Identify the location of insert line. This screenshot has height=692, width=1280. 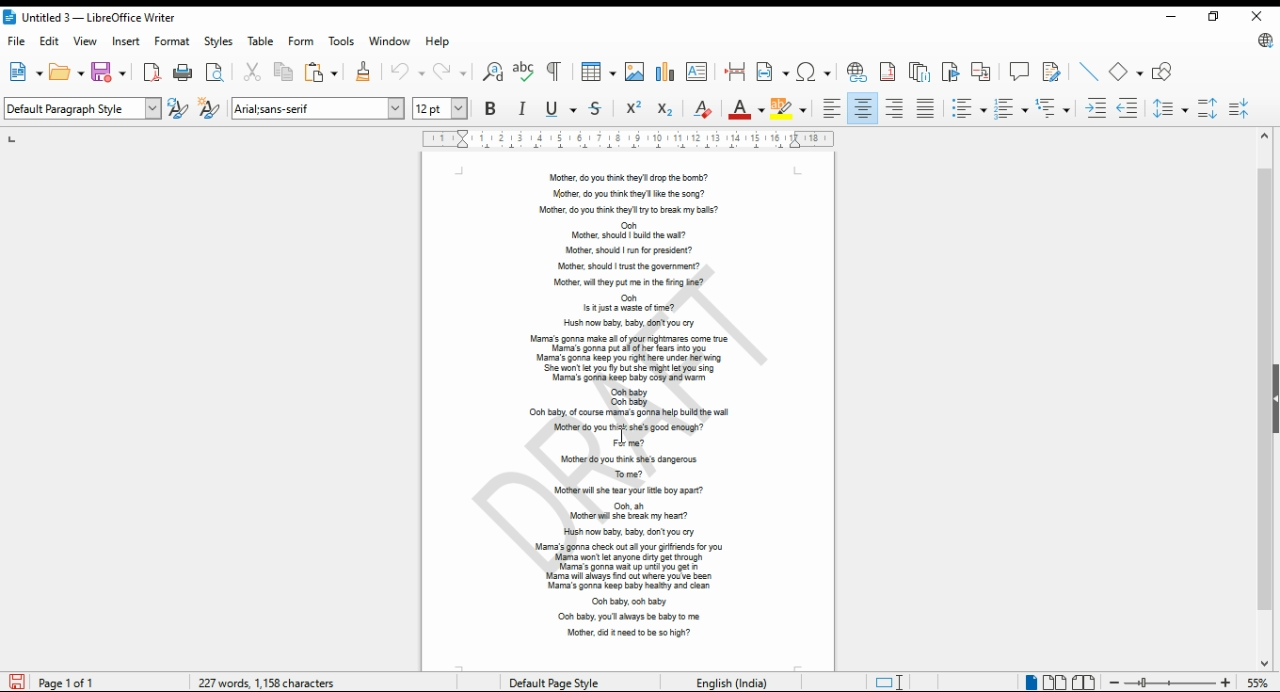
(1090, 72).